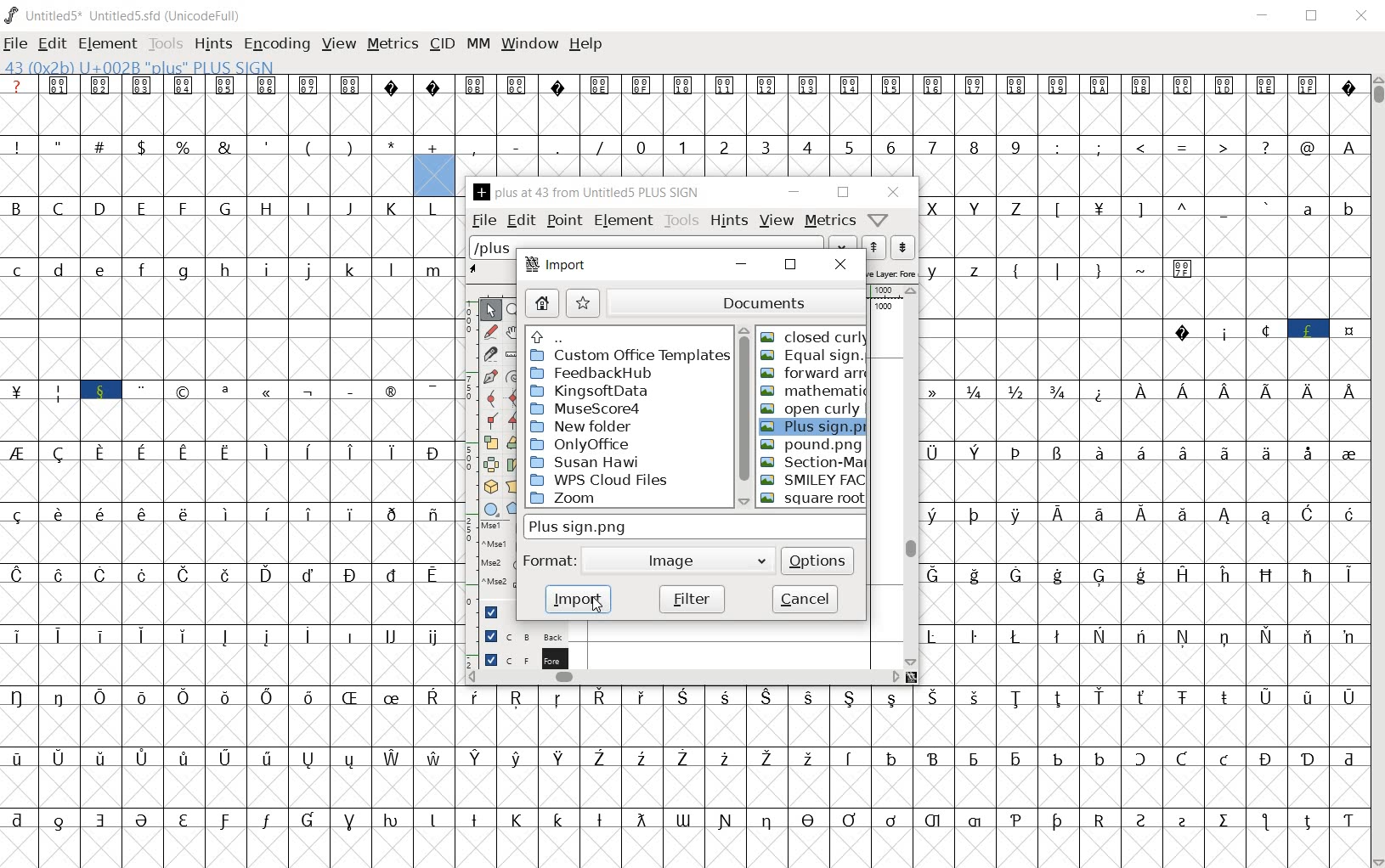 Image resolution: width=1385 pixels, height=868 pixels. I want to click on options, so click(817, 560).